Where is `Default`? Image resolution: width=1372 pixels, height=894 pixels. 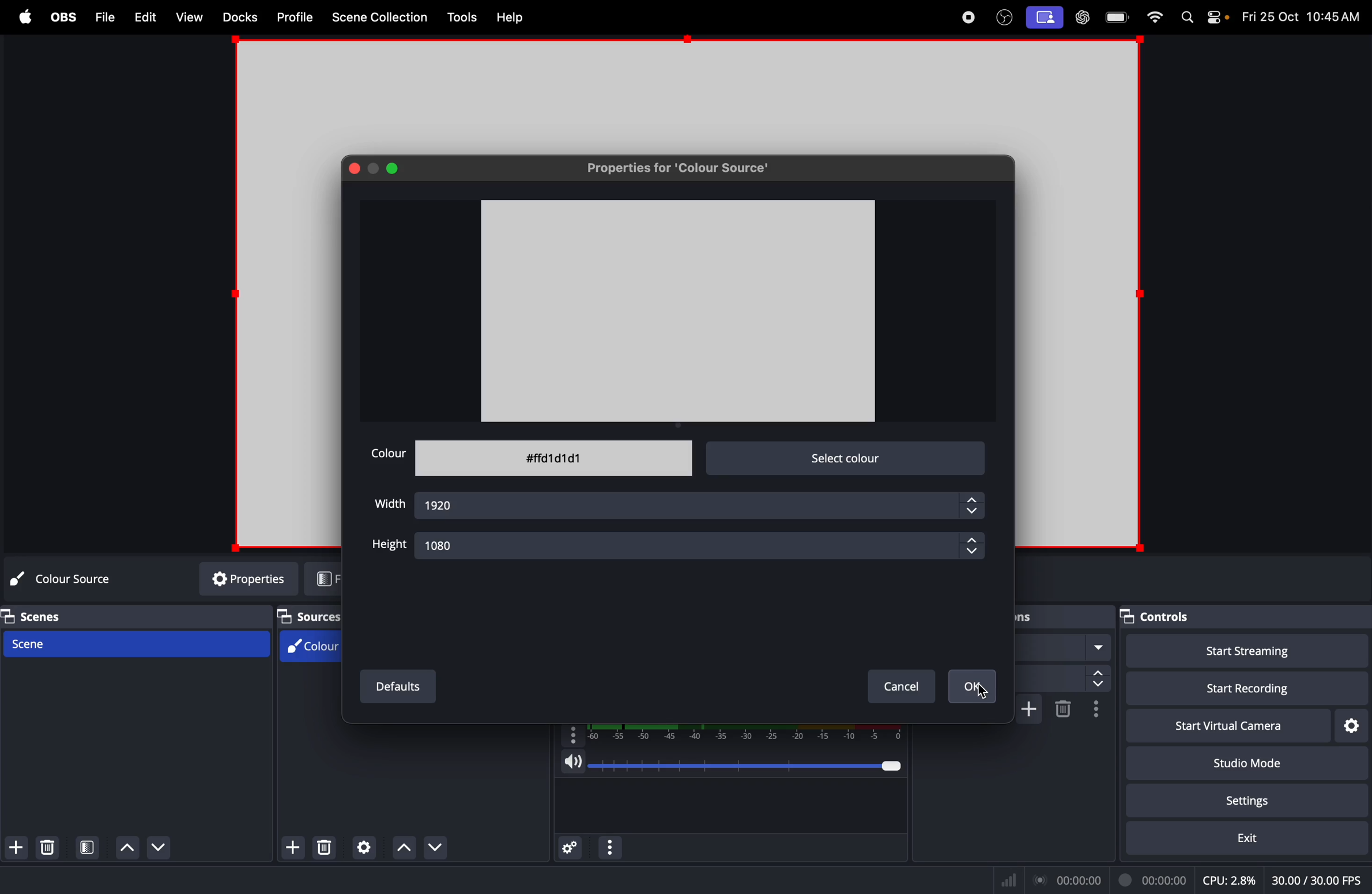 Default is located at coordinates (401, 688).